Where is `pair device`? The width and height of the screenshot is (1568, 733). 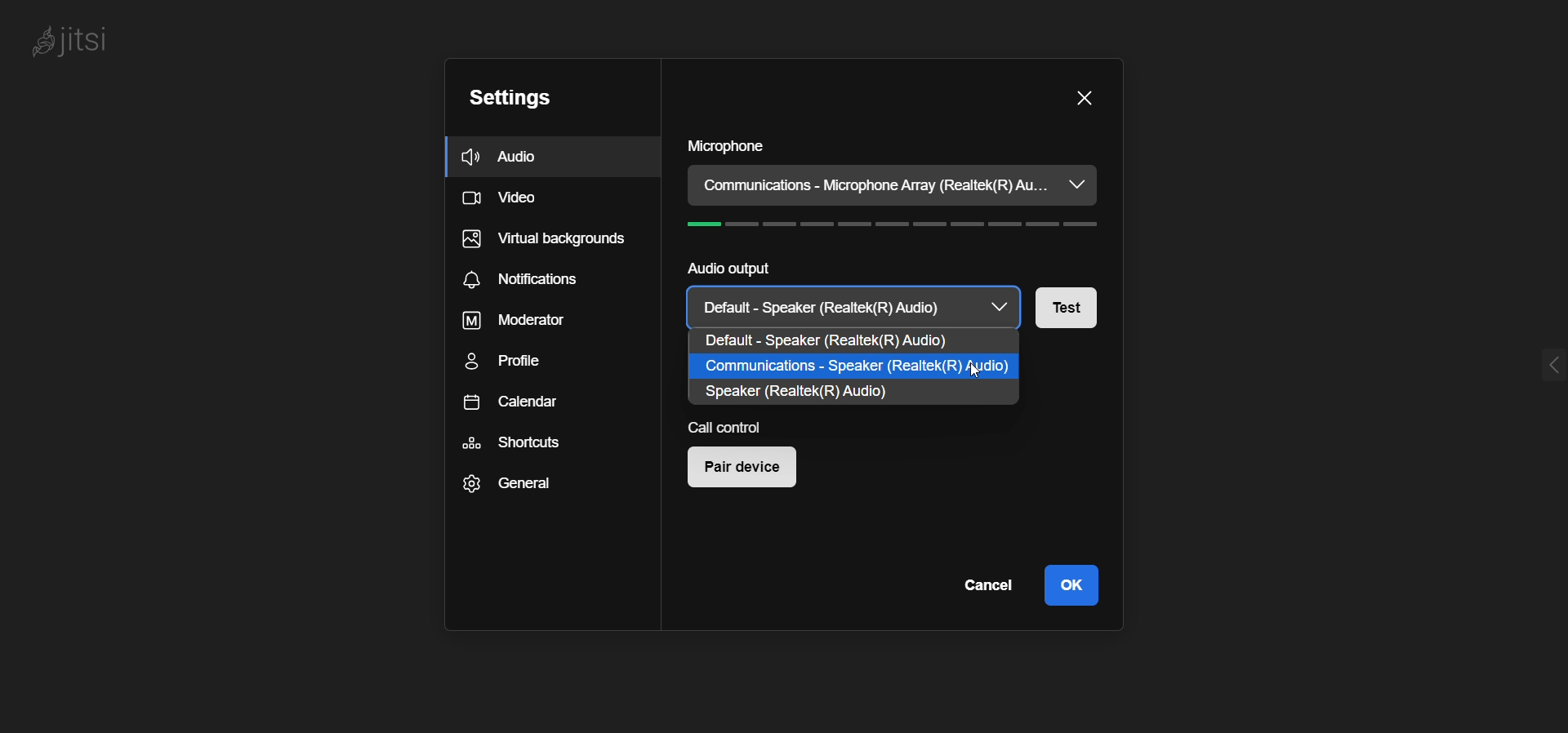 pair device is located at coordinates (749, 470).